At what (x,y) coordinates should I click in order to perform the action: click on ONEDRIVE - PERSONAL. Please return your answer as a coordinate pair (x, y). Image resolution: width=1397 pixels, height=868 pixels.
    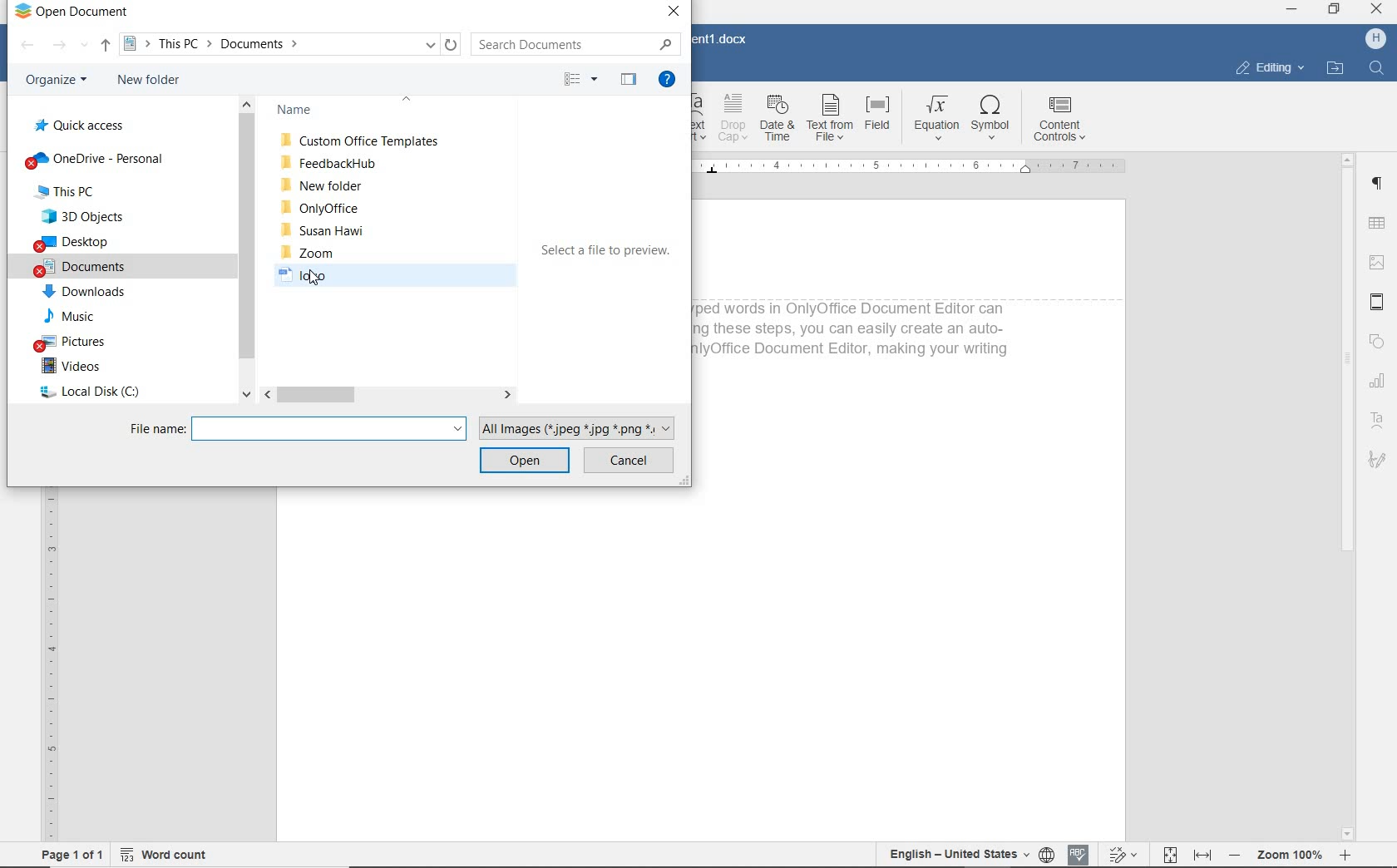
    Looking at the image, I should click on (95, 159).